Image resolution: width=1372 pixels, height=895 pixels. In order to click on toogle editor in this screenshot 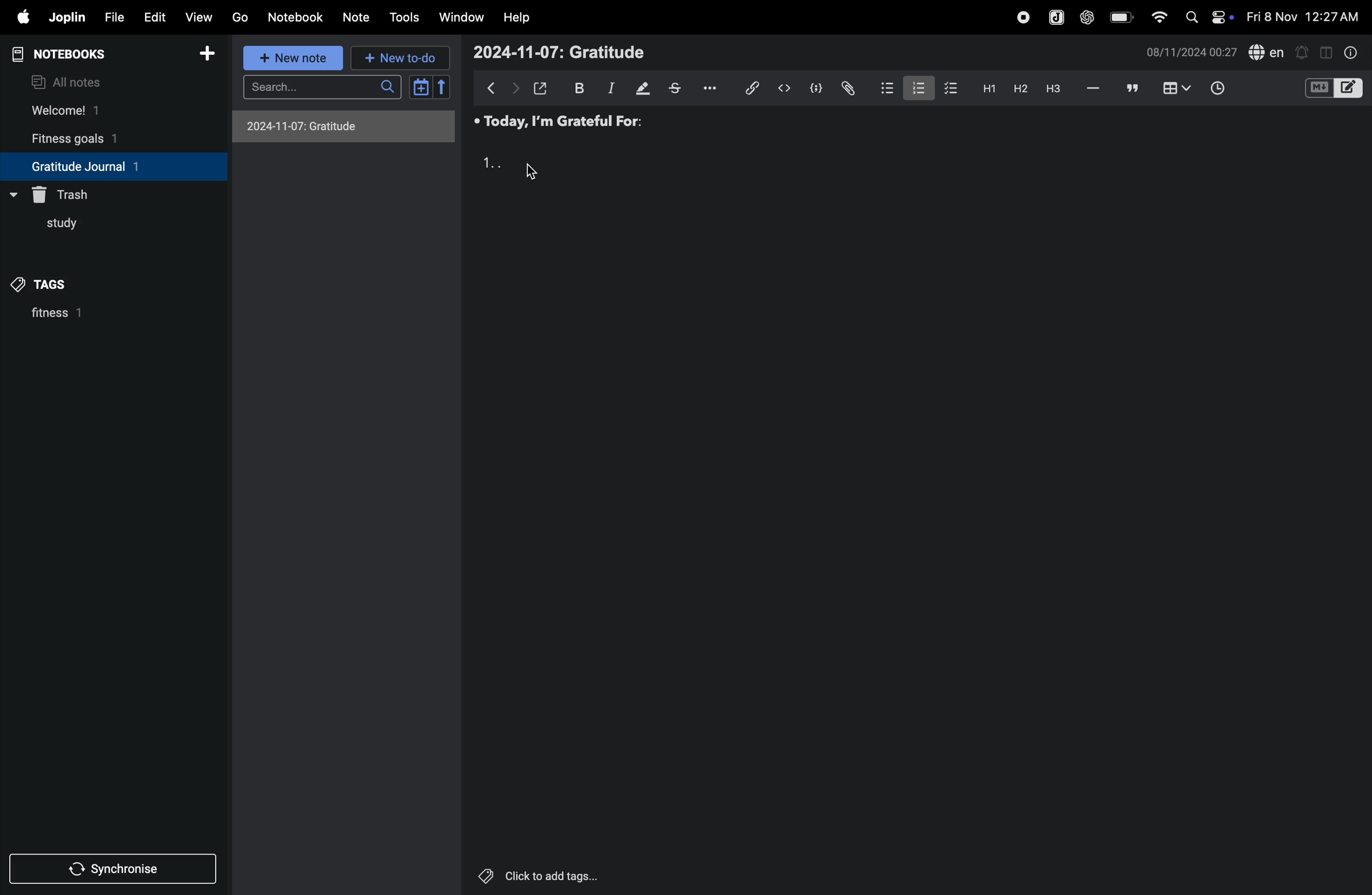, I will do `click(1334, 90)`.